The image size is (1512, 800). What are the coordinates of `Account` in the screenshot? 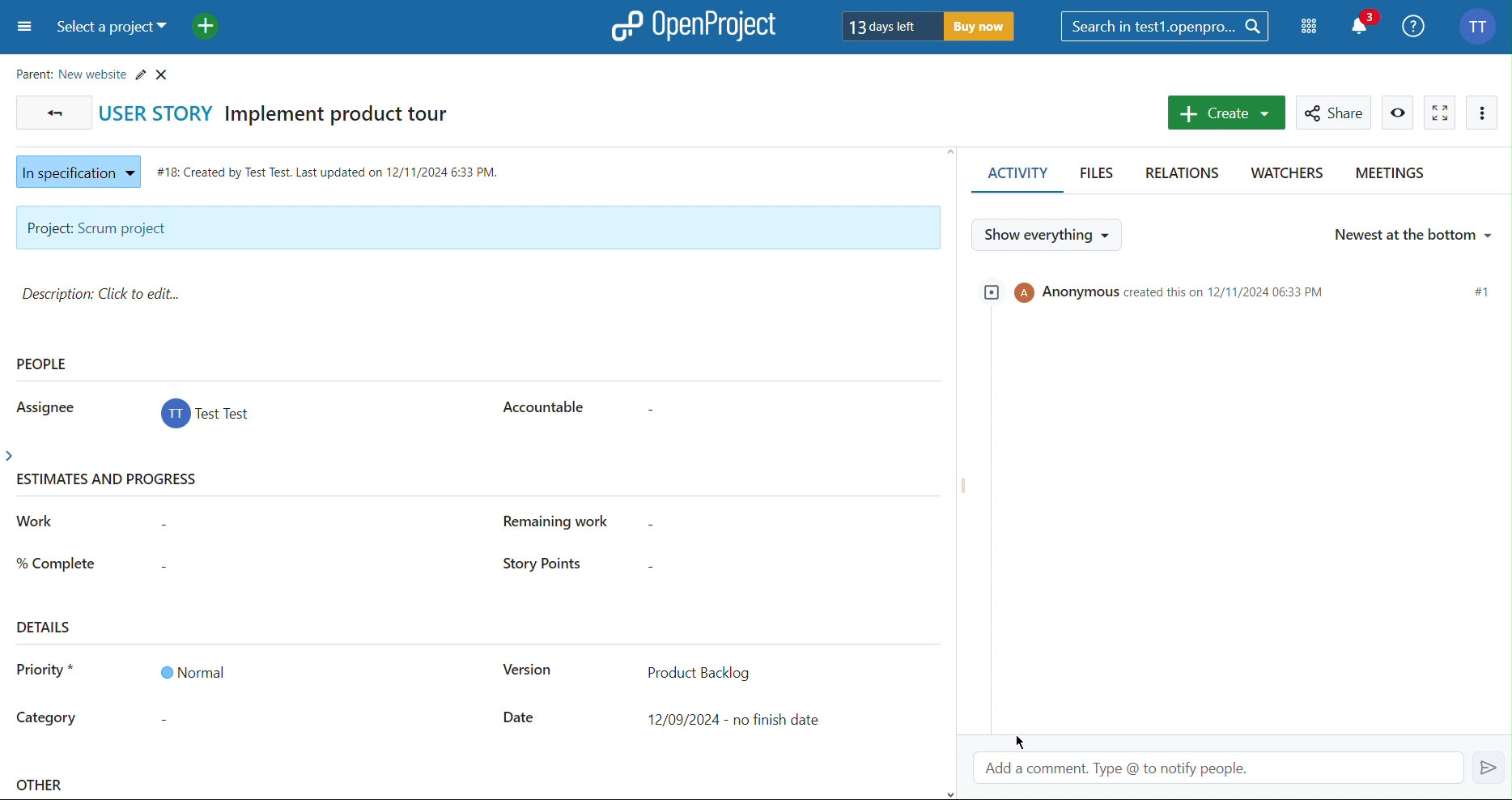 It's located at (1480, 24).